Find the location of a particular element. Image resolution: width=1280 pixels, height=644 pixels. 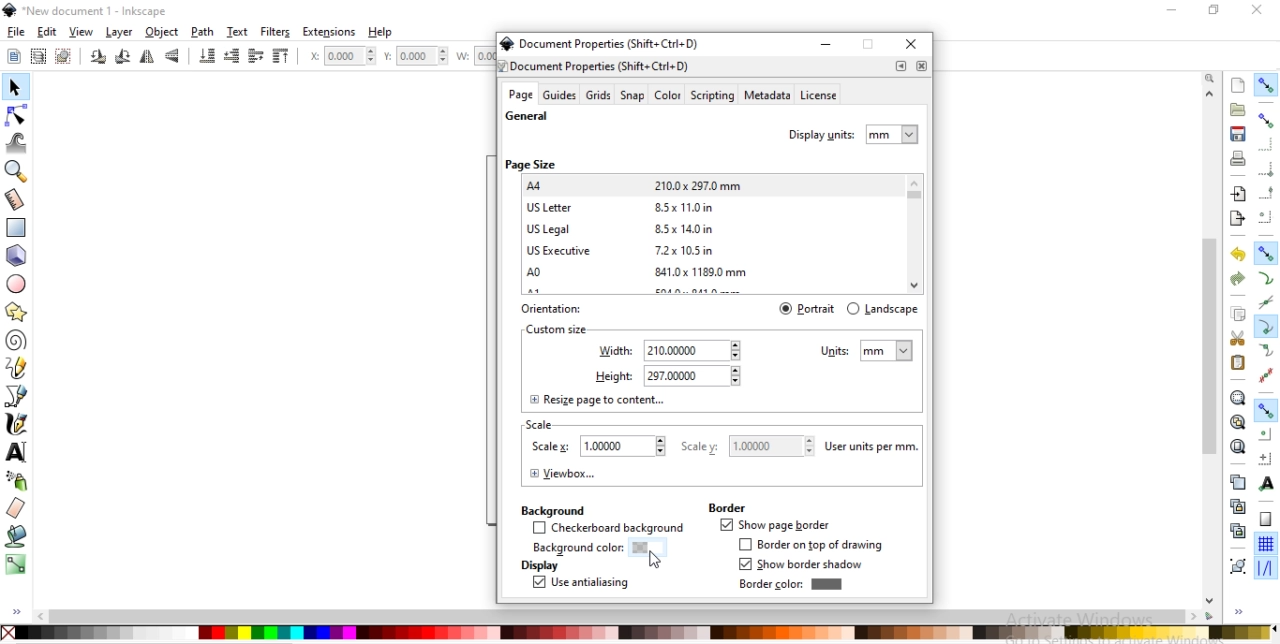

snap to grid is located at coordinates (1265, 545).